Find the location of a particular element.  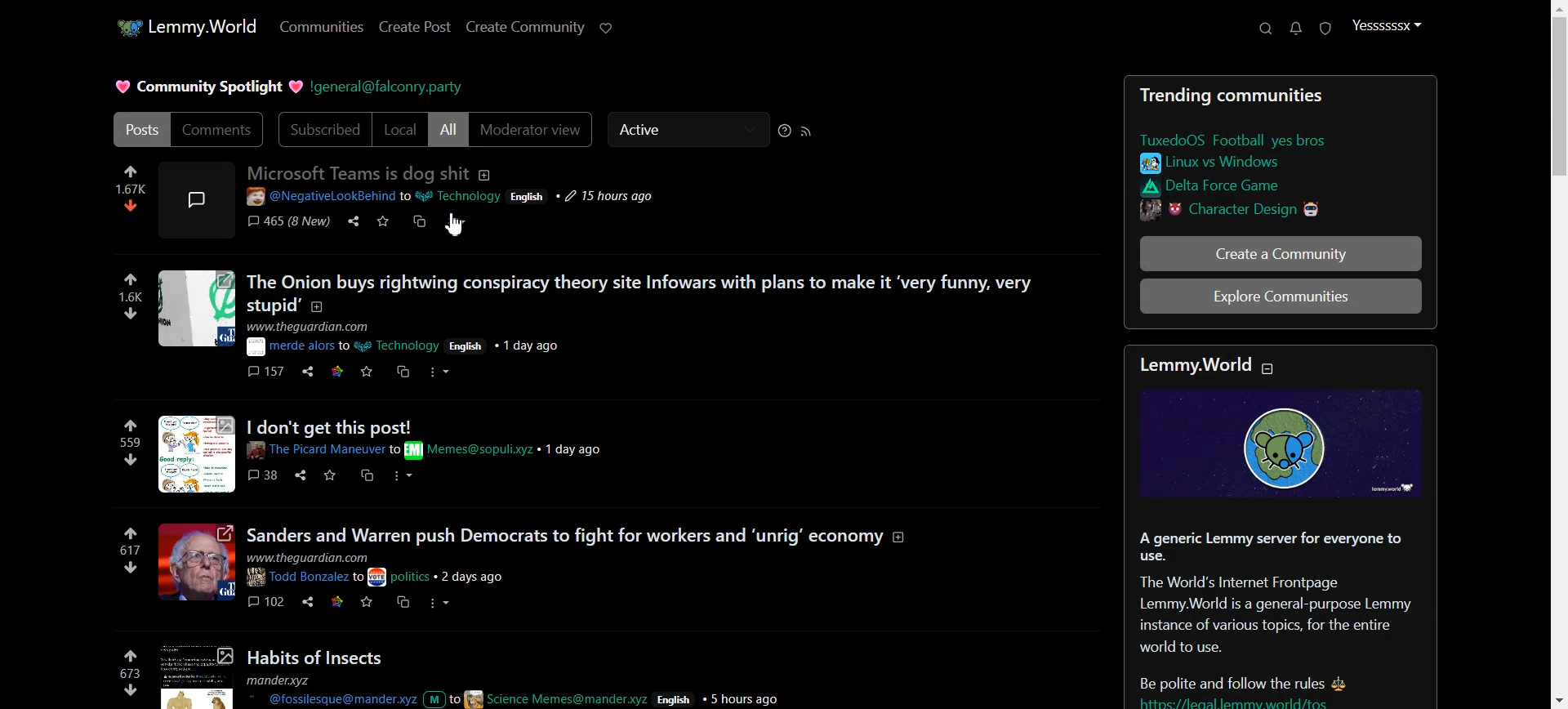

posts is located at coordinates (646, 313).